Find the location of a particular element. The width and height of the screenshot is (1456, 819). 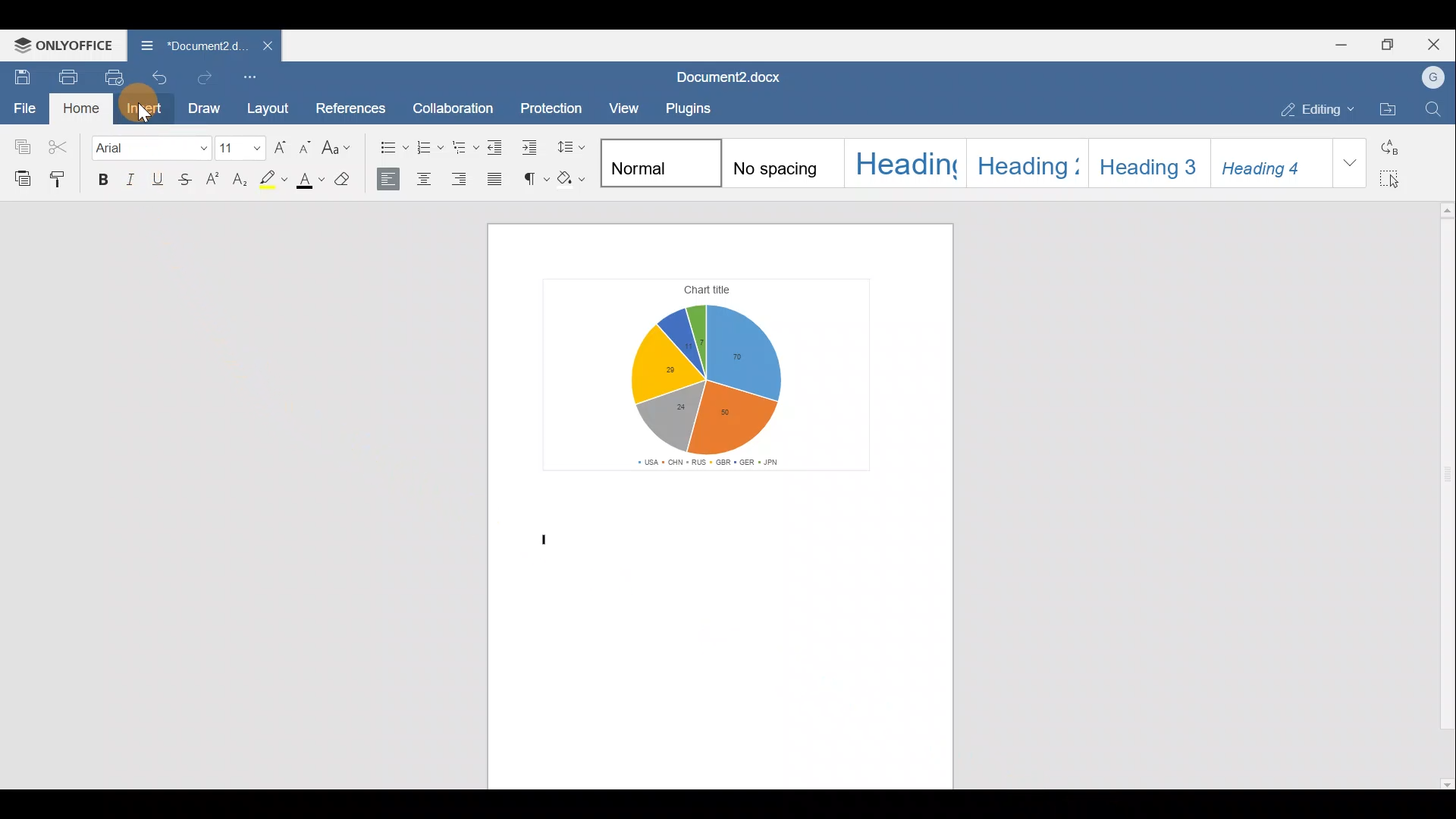

Align right is located at coordinates (464, 180).